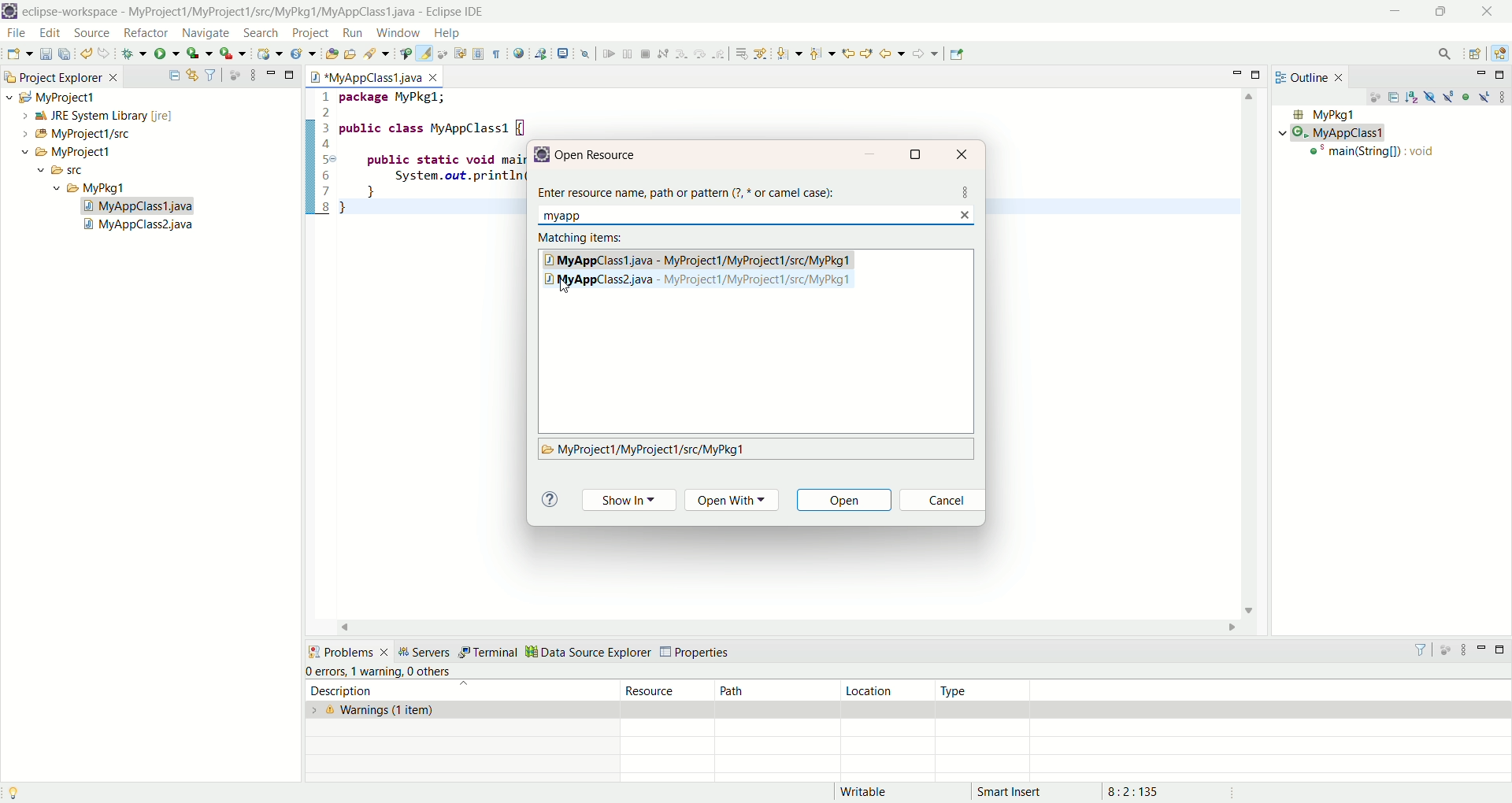 The height and width of the screenshot is (803, 1512). What do you see at coordinates (644, 450) in the screenshot?
I see `file location` at bounding box center [644, 450].